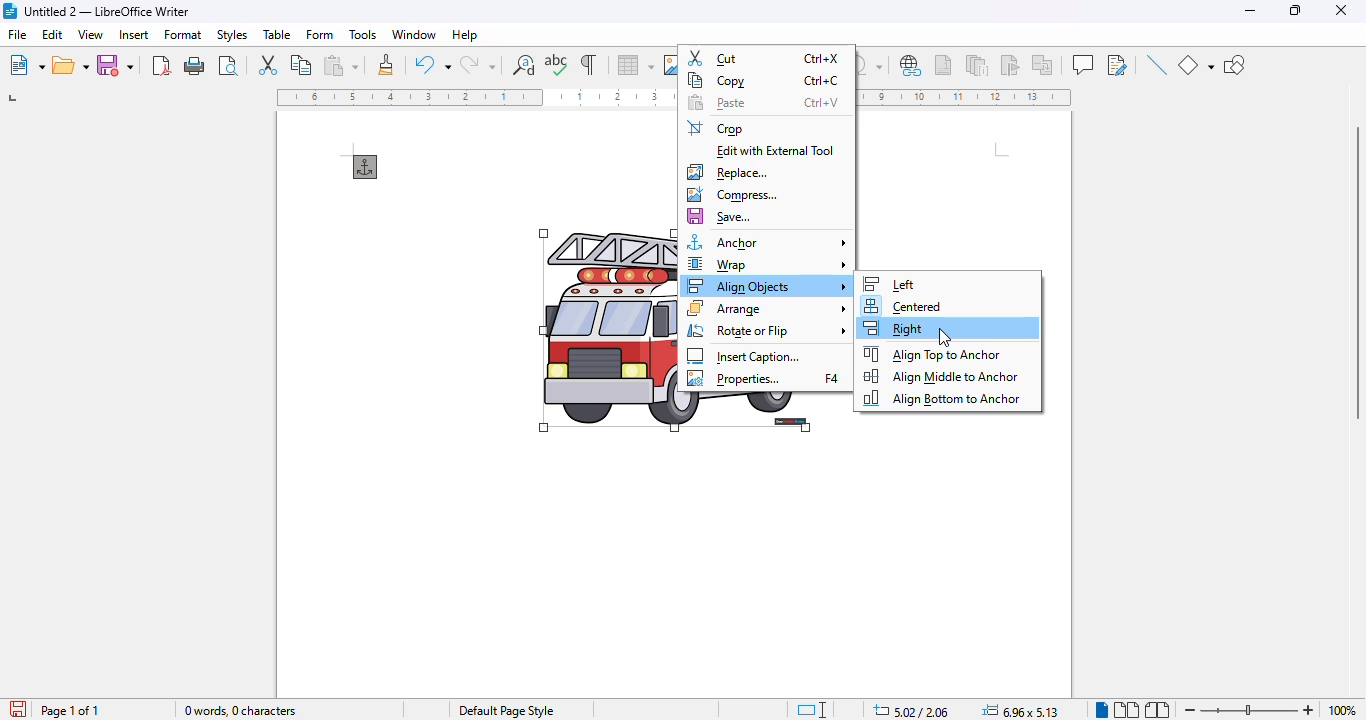  Describe the element at coordinates (892, 328) in the screenshot. I see `right` at that location.